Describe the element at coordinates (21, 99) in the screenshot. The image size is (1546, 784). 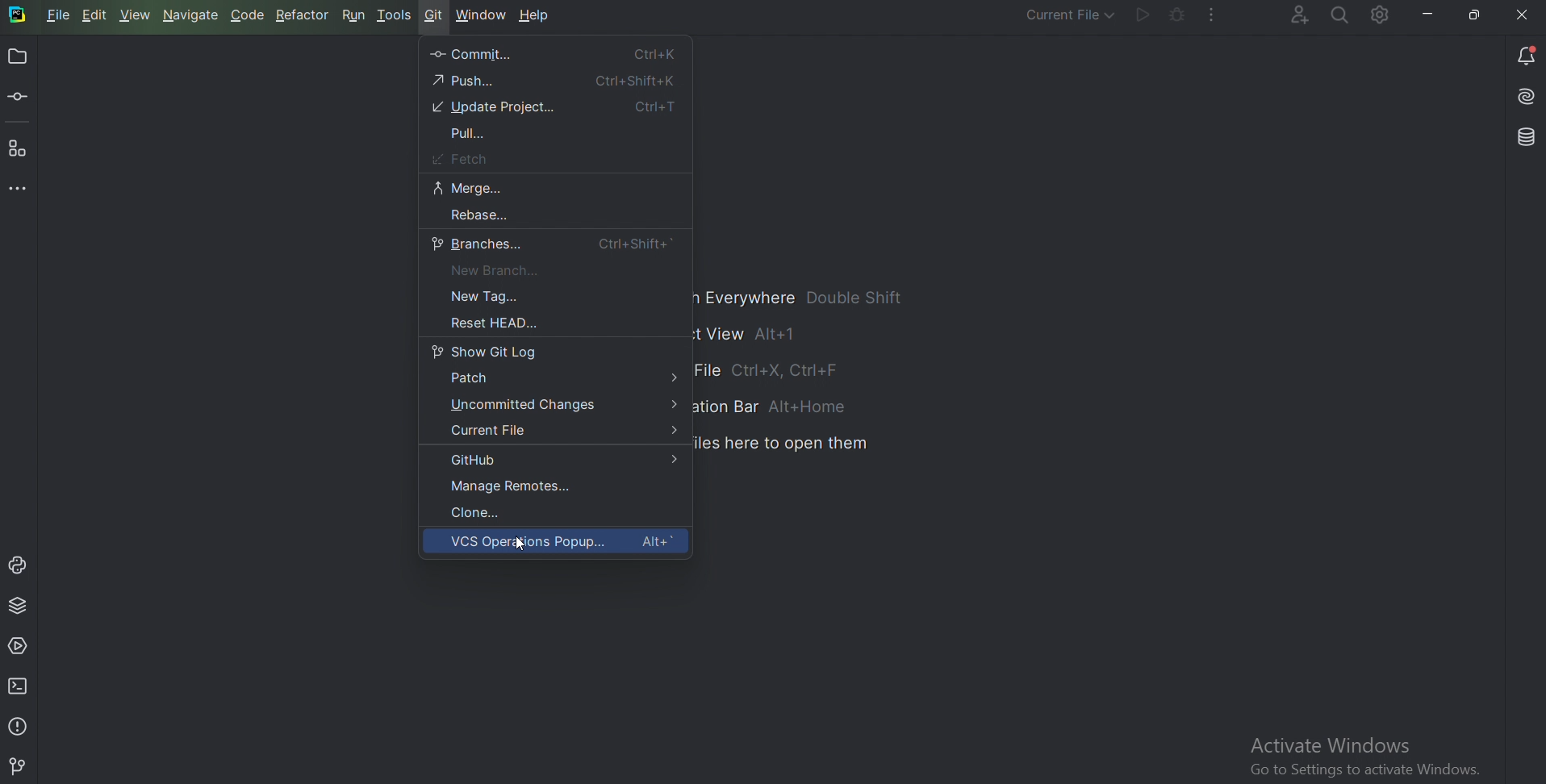
I see `Commit` at that location.